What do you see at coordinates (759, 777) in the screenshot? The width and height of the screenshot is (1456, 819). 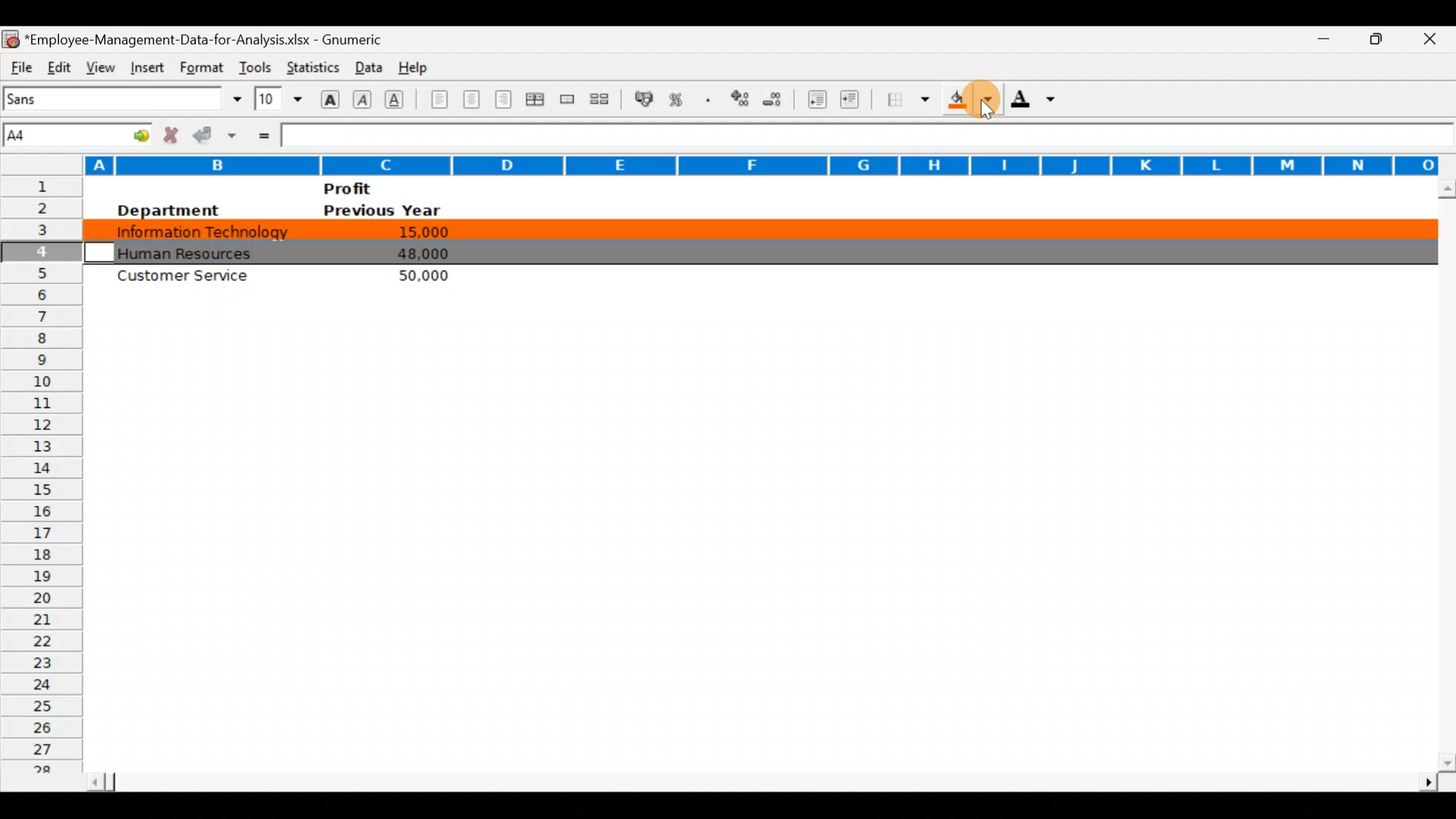 I see `Scroll bar` at bounding box center [759, 777].